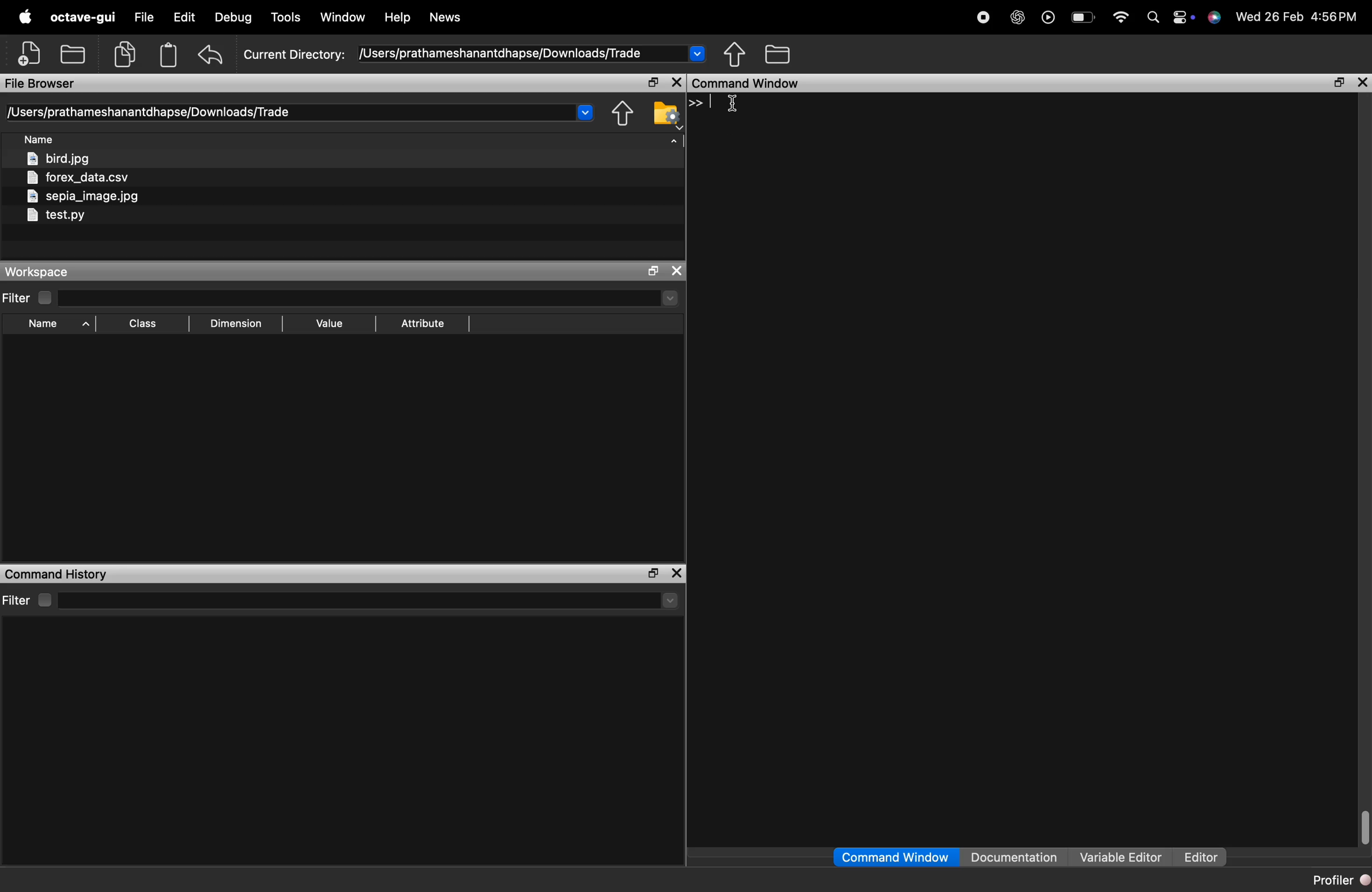 This screenshot has height=892, width=1372. Describe the element at coordinates (1340, 880) in the screenshot. I see `Profiler` at that location.